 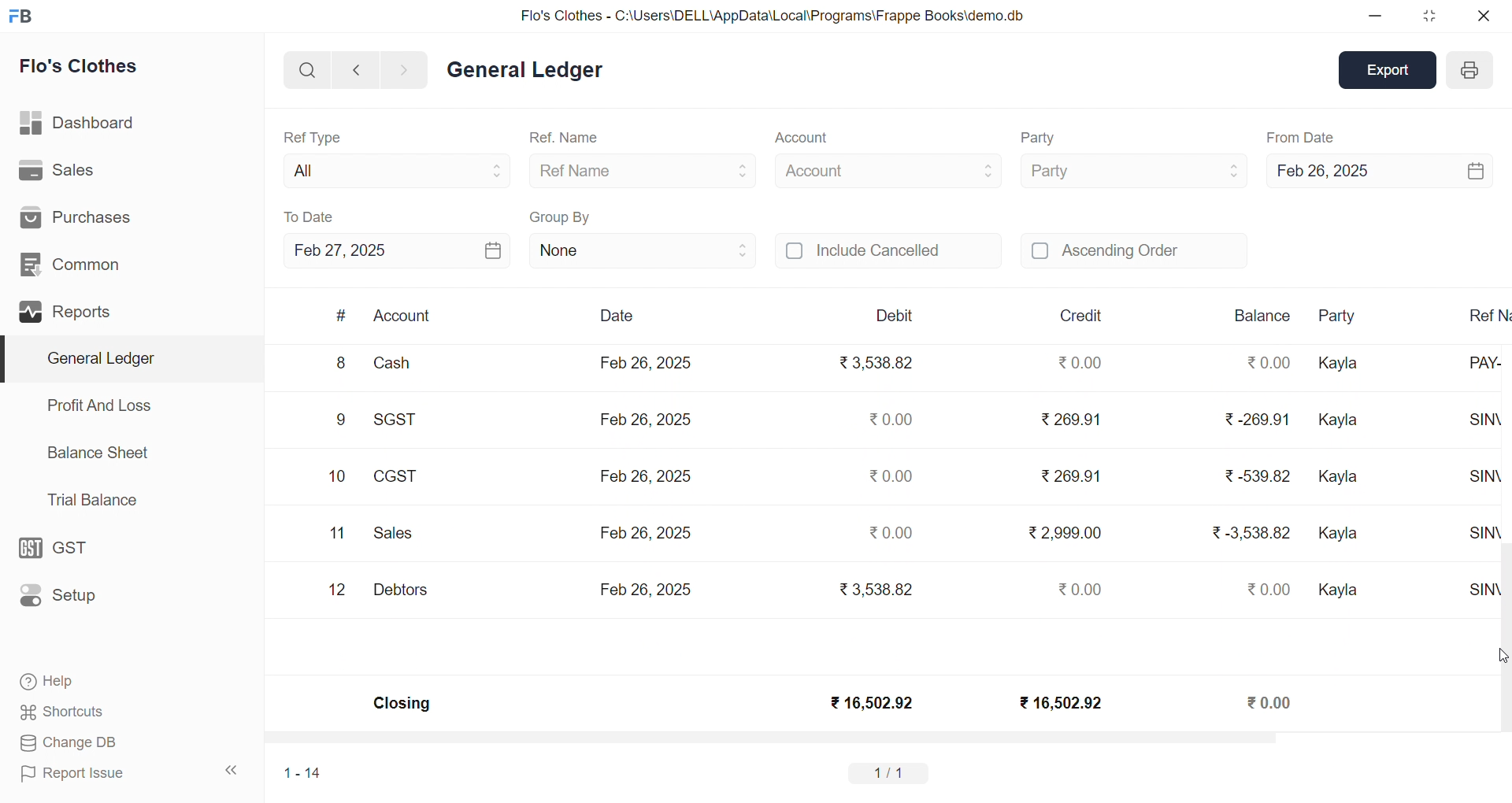 I want to click on SEARCH, so click(x=306, y=68).